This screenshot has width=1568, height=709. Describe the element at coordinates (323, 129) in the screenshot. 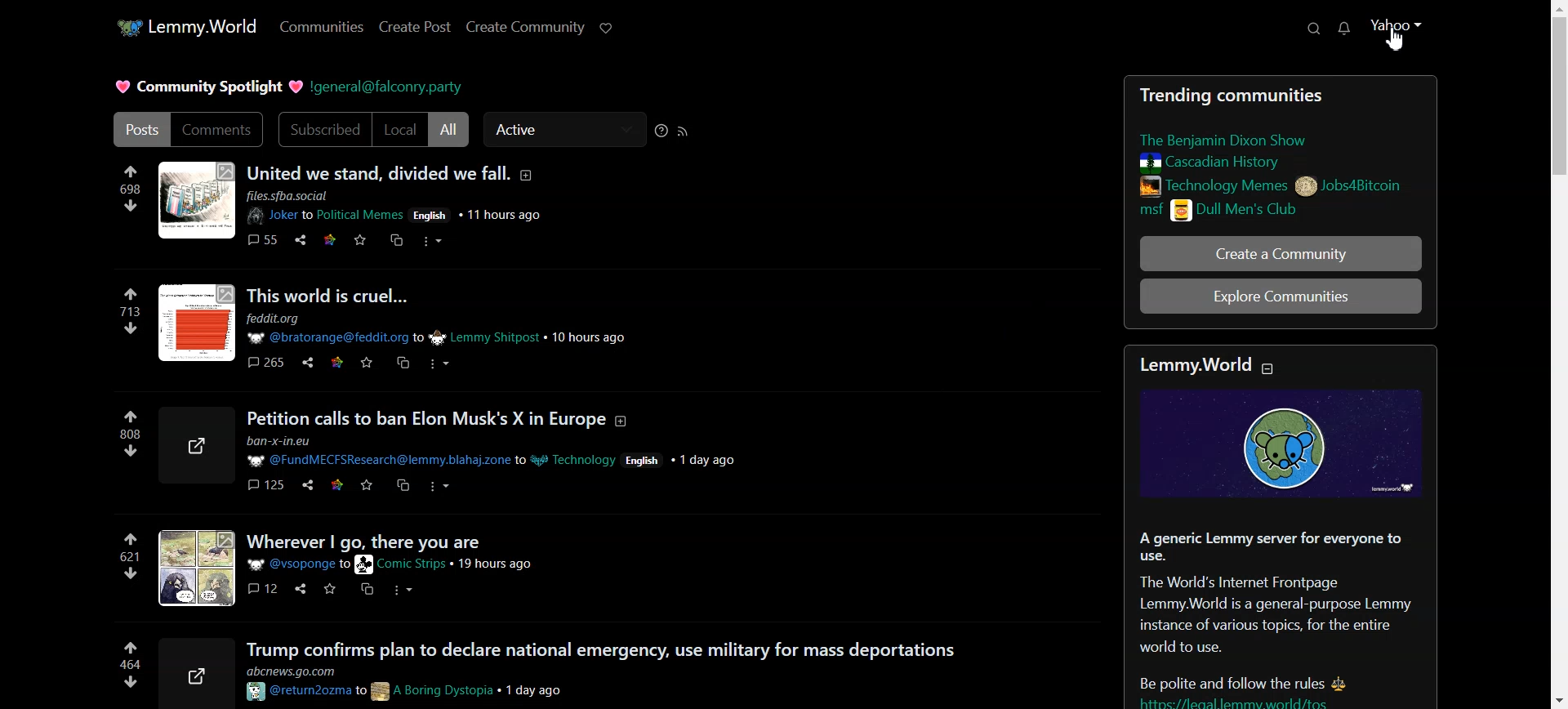

I see `Subscribed` at that location.